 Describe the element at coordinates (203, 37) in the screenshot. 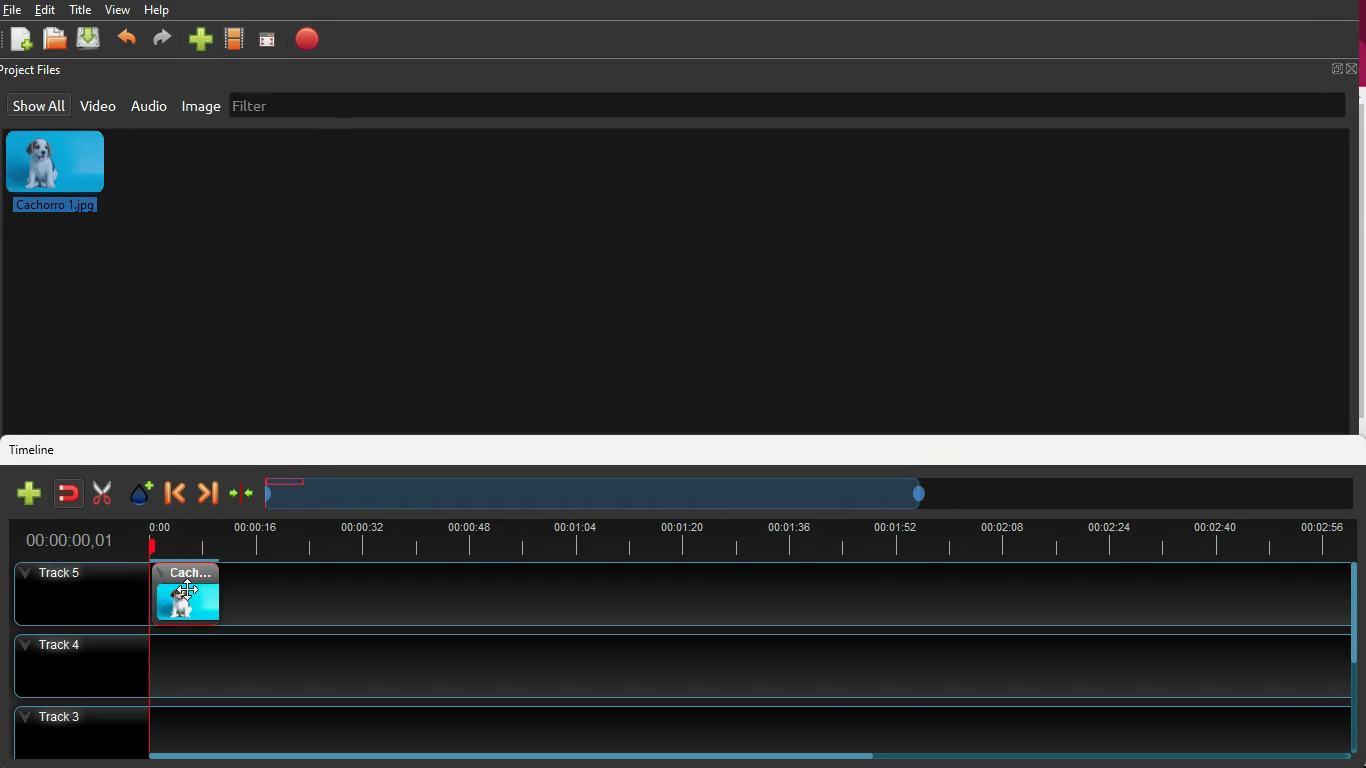

I see `new` at that location.